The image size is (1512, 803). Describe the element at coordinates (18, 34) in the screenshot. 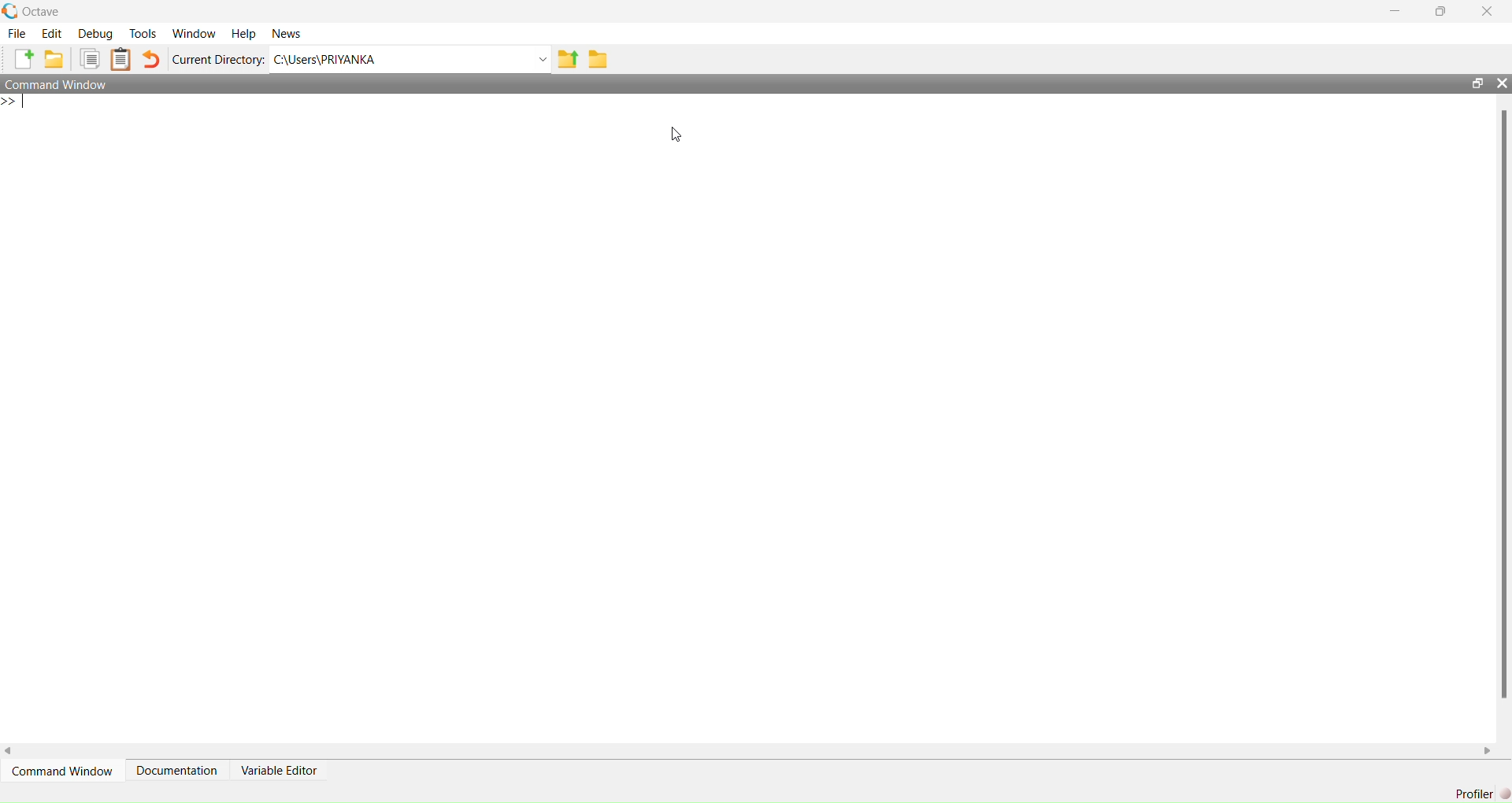

I see `file` at that location.